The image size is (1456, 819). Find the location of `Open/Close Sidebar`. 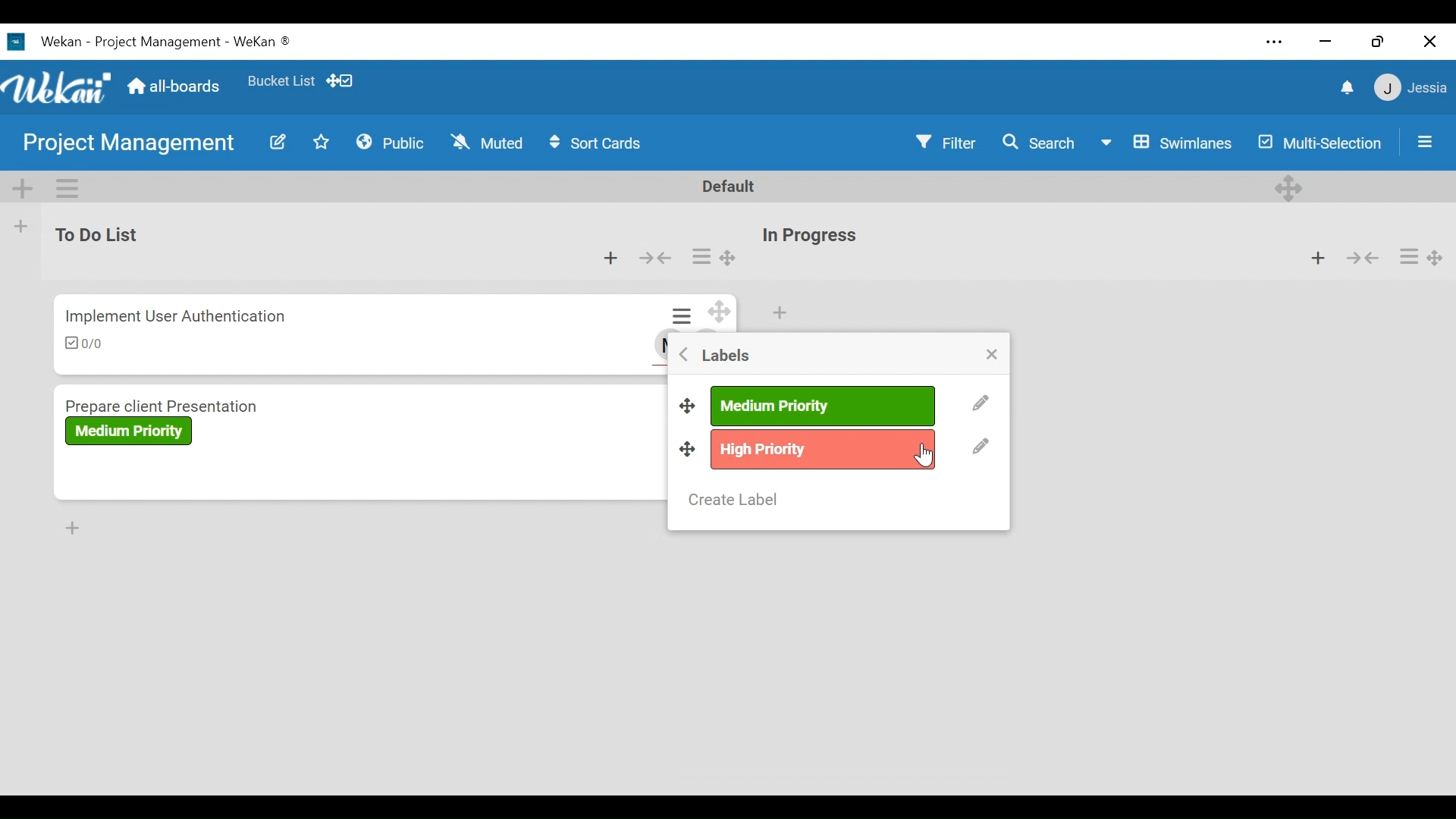

Open/Close Sidebar is located at coordinates (1423, 140).